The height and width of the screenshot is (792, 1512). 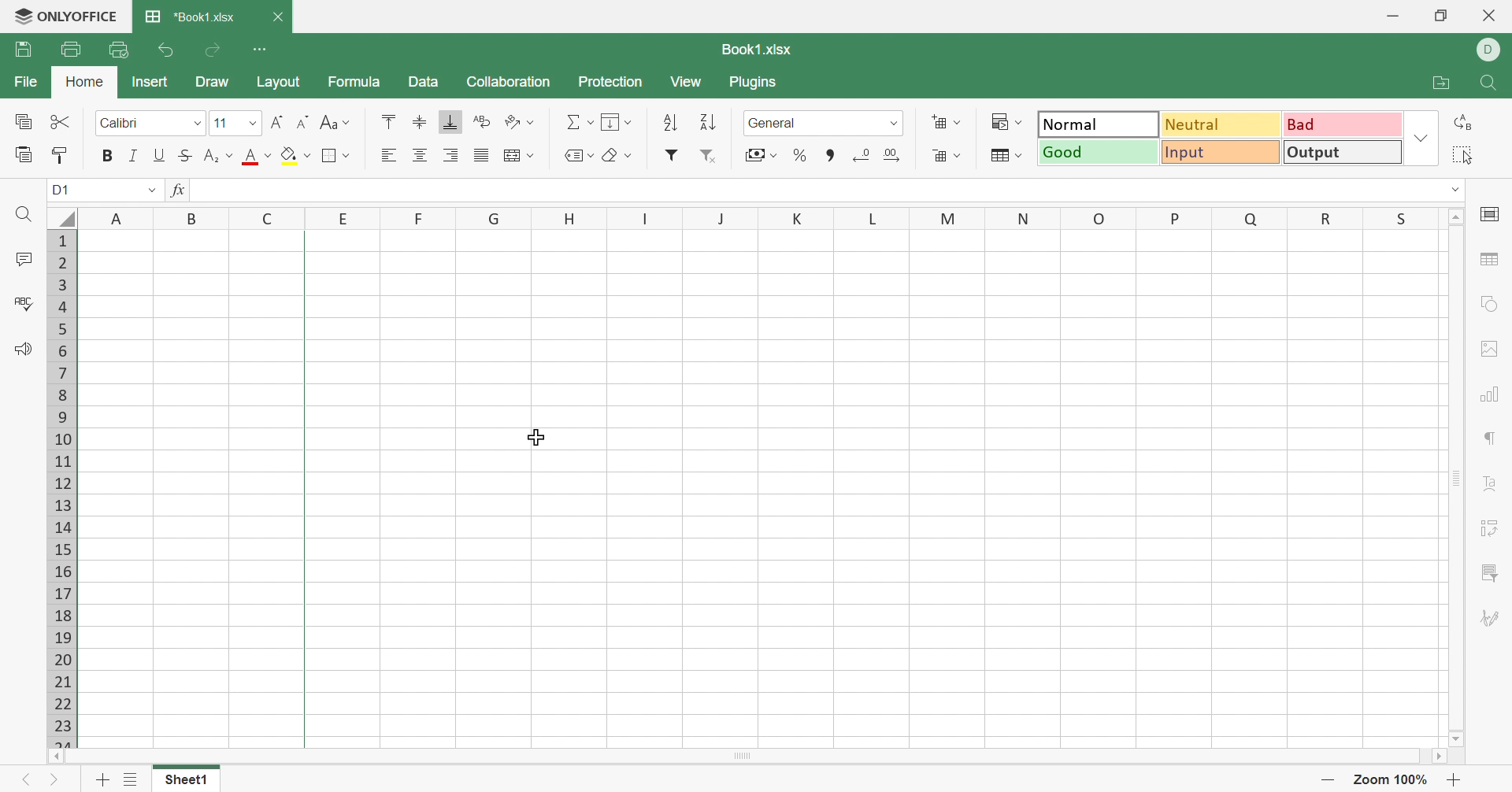 What do you see at coordinates (1389, 14) in the screenshot?
I see `Minimize` at bounding box center [1389, 14].